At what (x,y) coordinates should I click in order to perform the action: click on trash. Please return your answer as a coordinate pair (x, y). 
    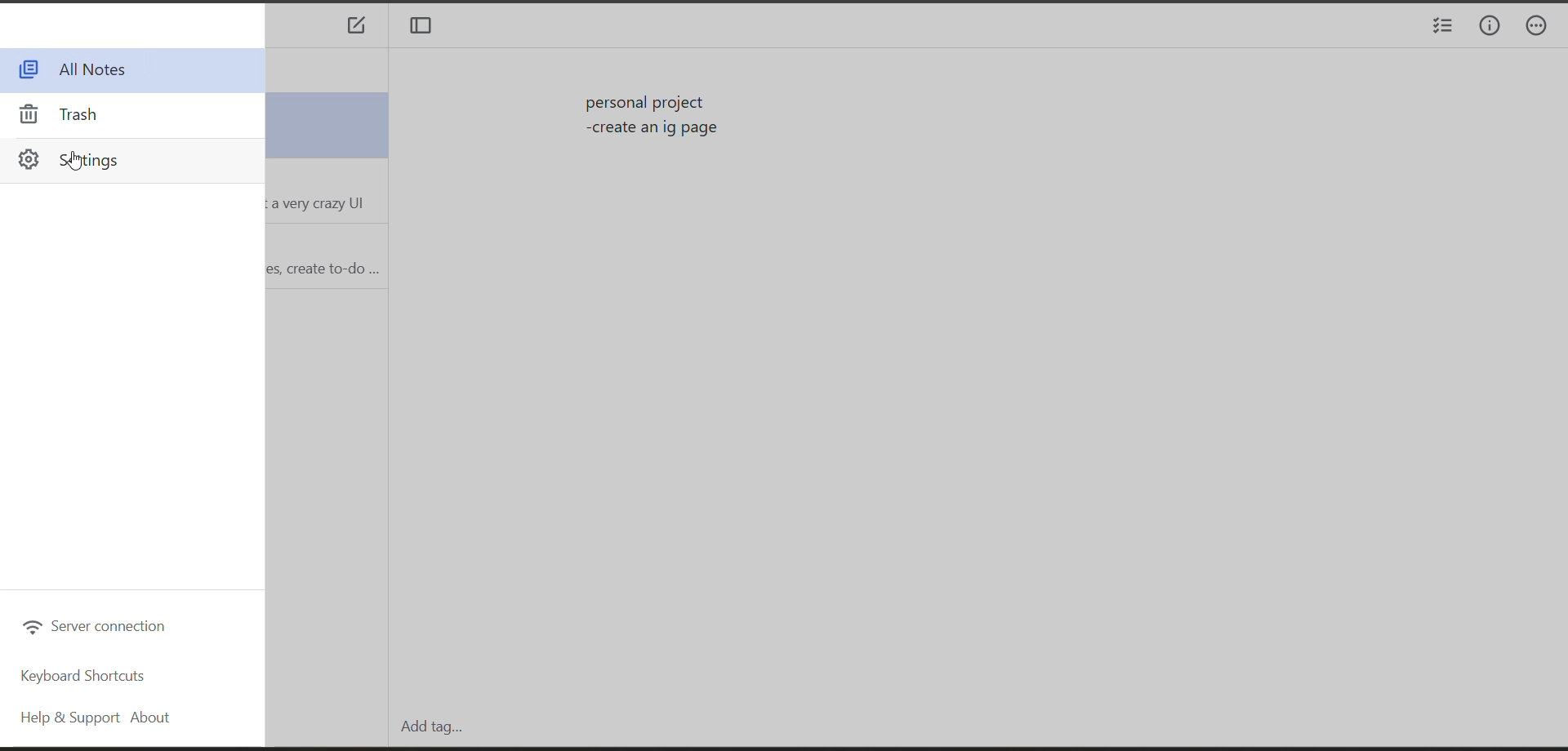
    Looking at the image, I should click on (68, 113).